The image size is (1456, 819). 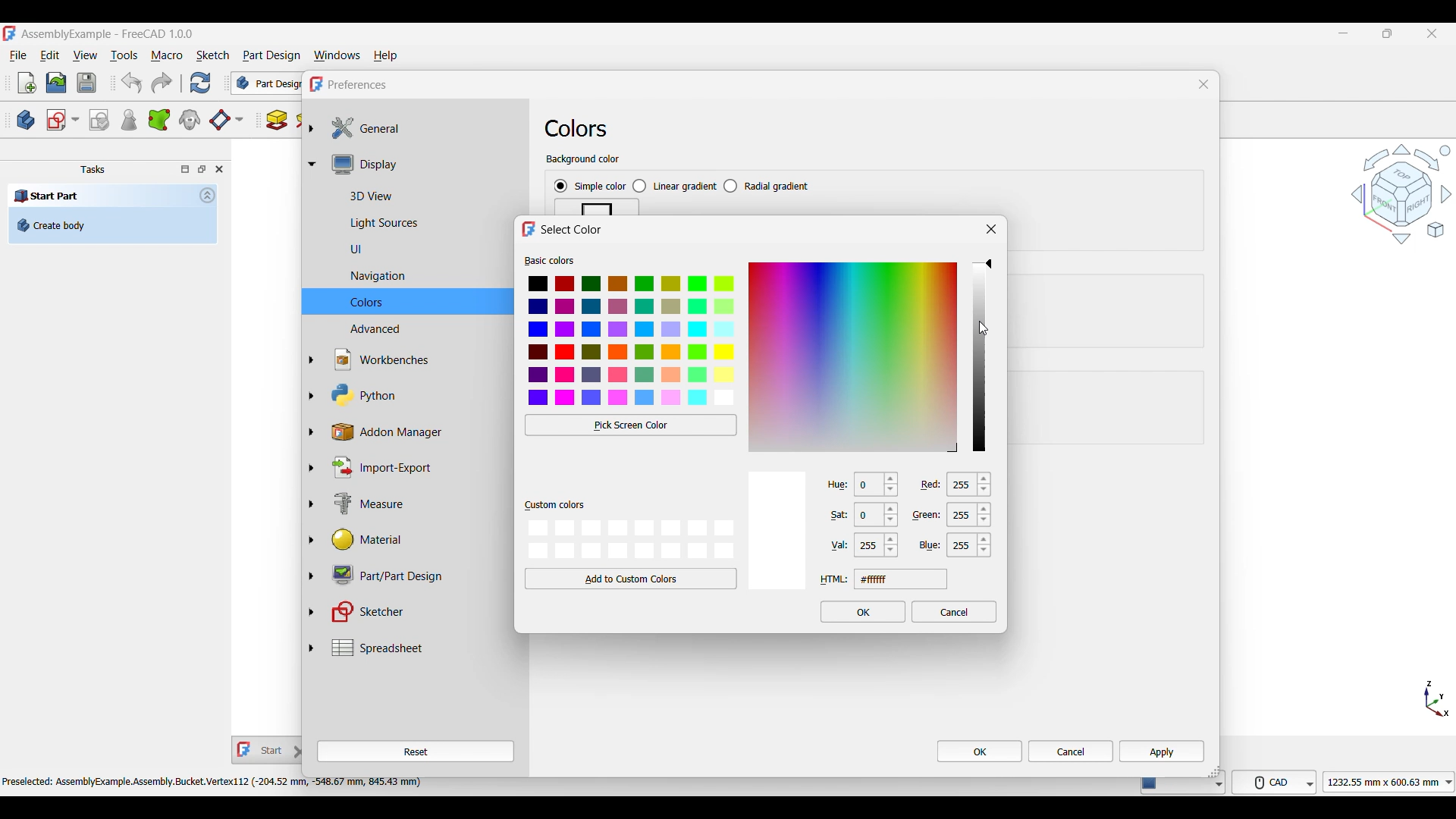 I want to click on Color slider, so click(x=978, y=356).